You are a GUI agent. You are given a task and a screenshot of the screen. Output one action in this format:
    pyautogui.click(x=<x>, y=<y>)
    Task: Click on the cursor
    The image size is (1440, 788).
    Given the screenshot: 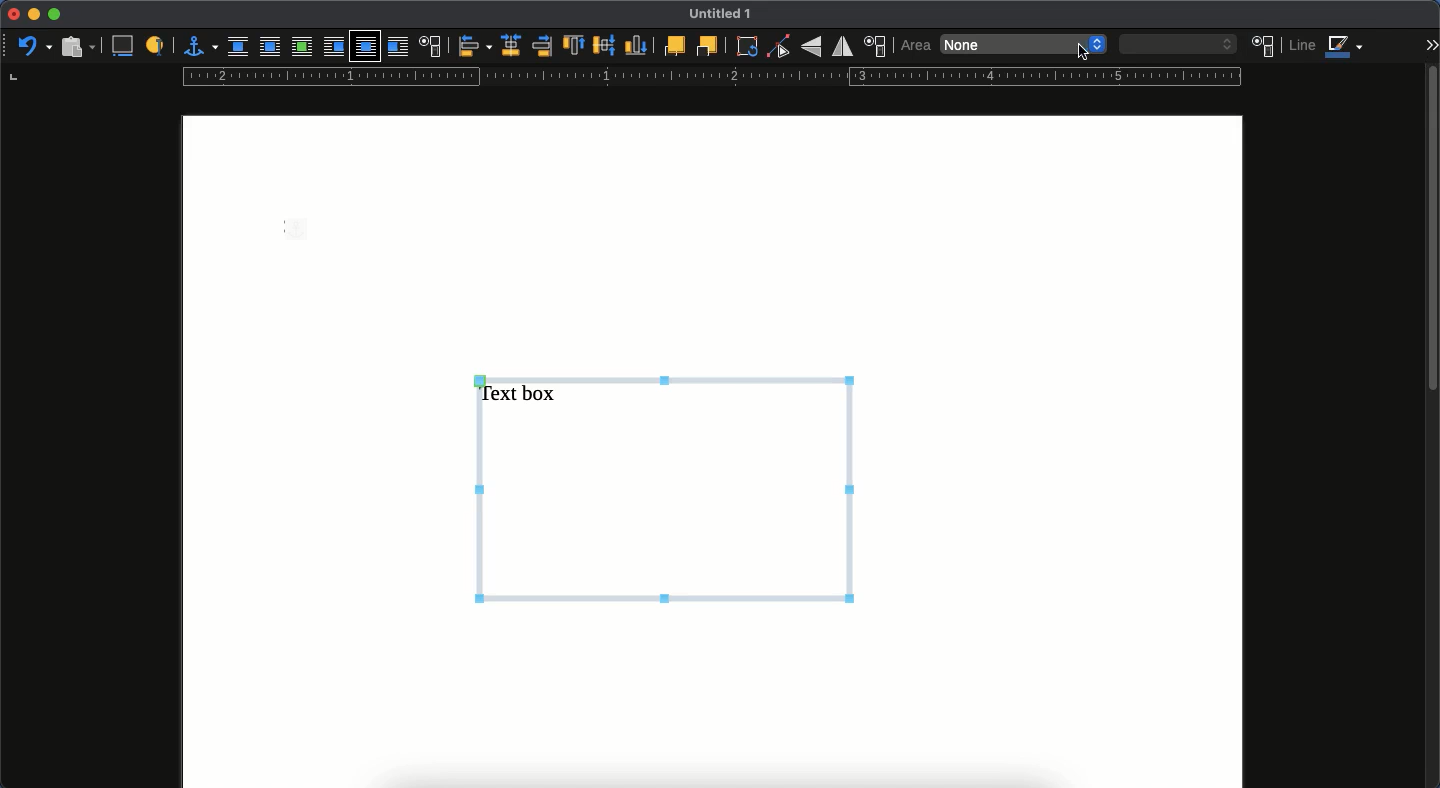 What is the action you would take?
    pyautogui.click(x=1082, y=50)
    